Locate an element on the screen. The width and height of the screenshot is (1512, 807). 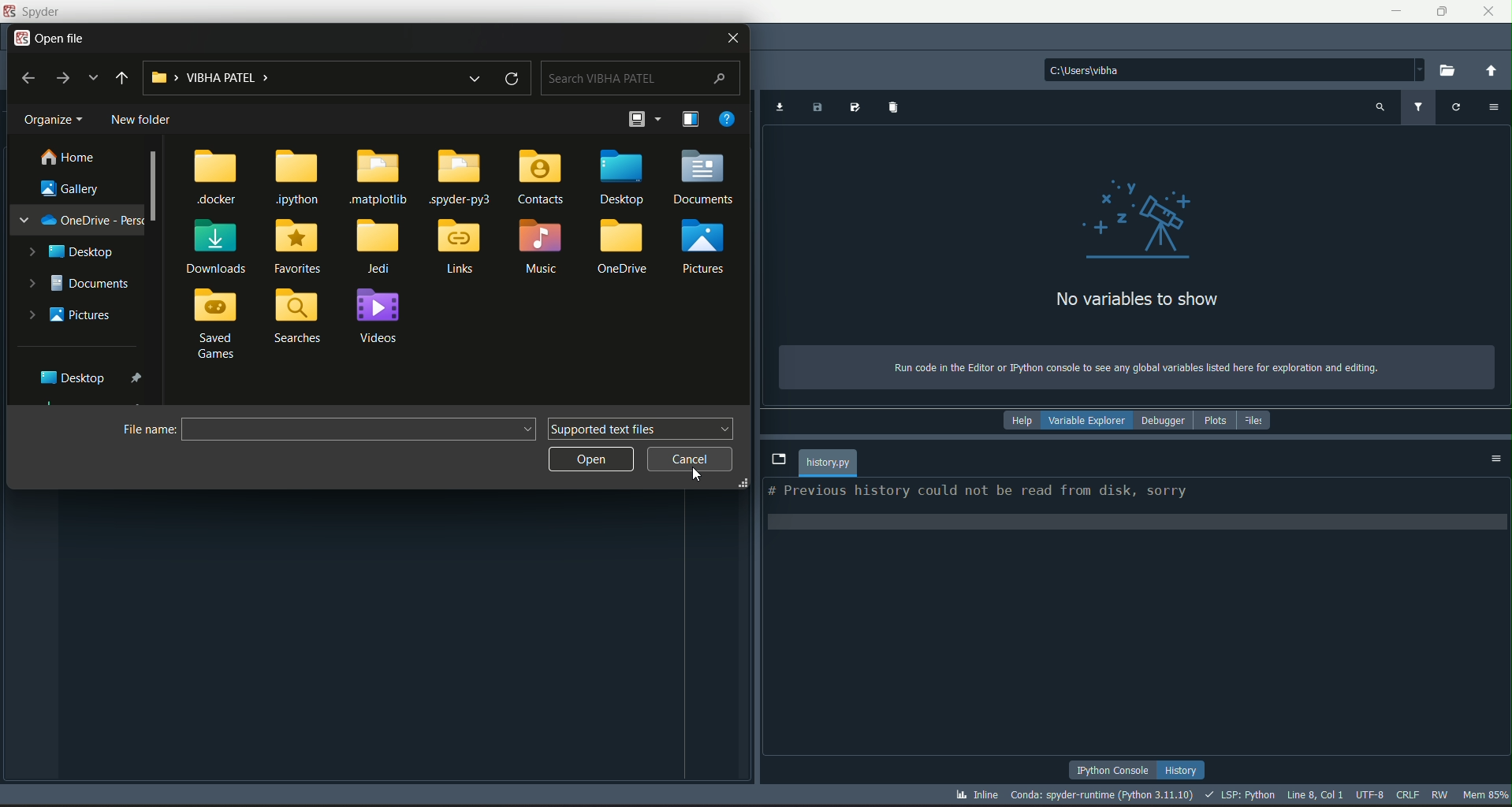
back is located at coordinates (30, 78).